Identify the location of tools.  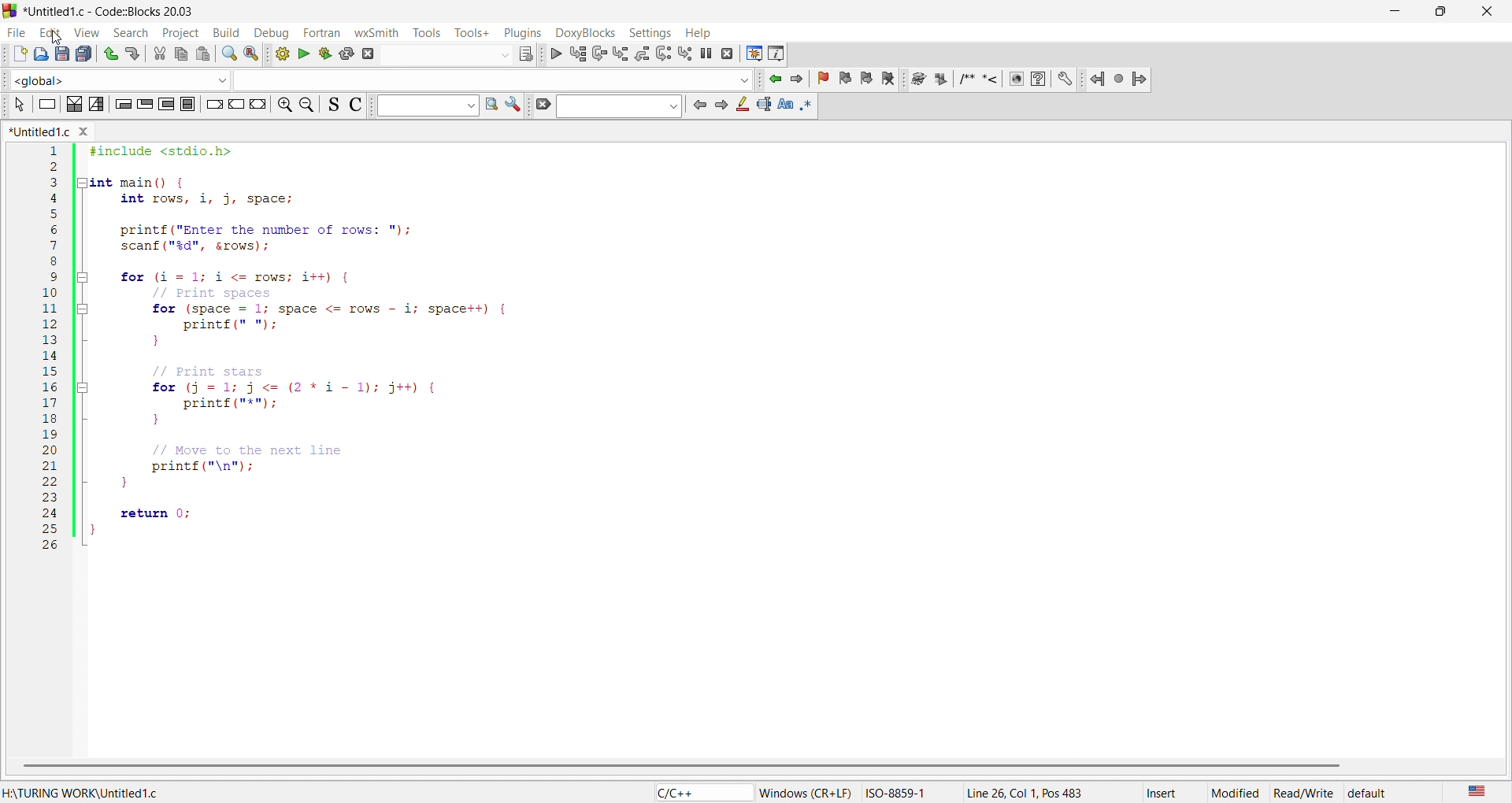
(427, 31).